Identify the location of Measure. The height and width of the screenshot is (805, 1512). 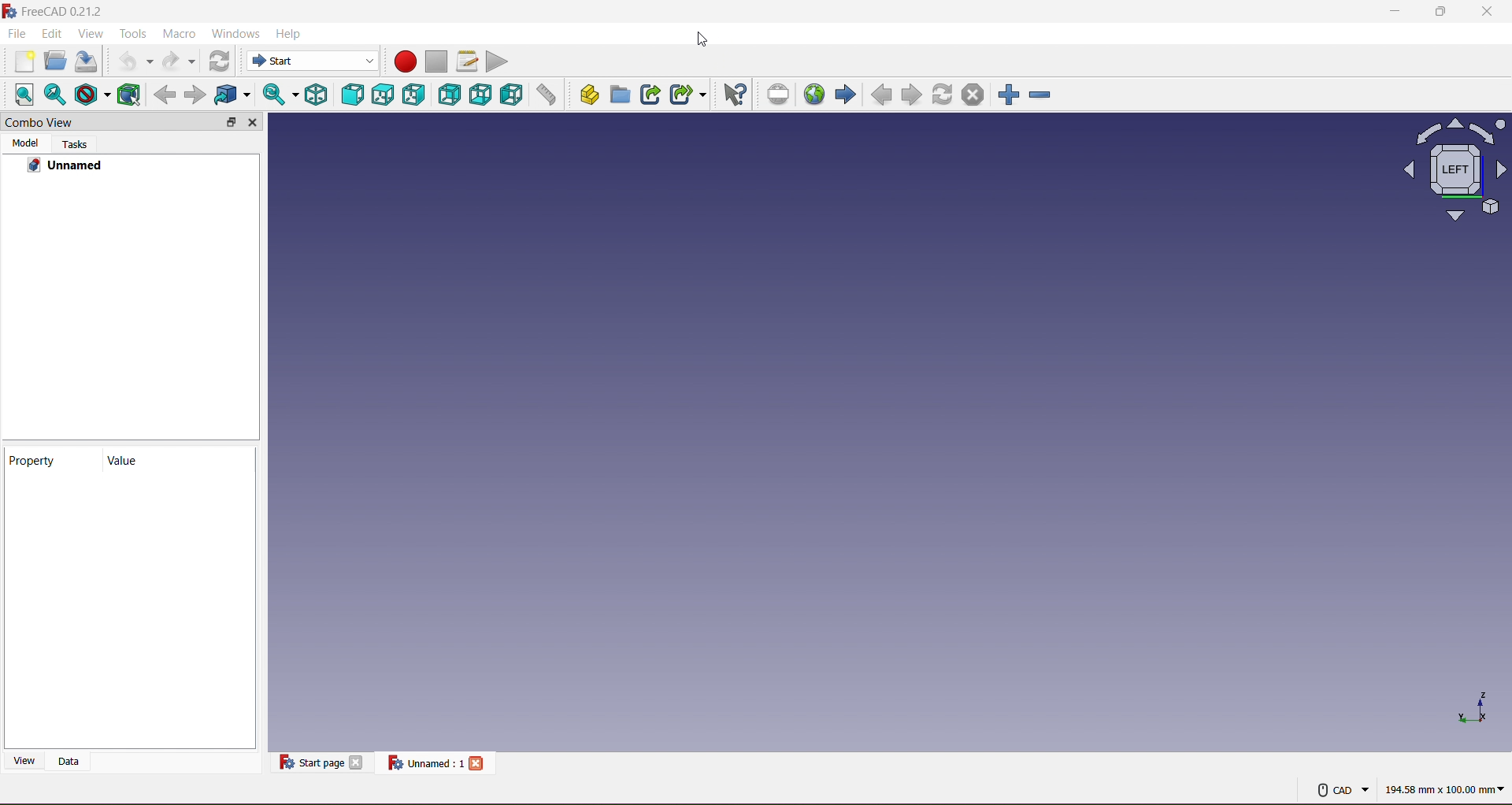
(547, 95).